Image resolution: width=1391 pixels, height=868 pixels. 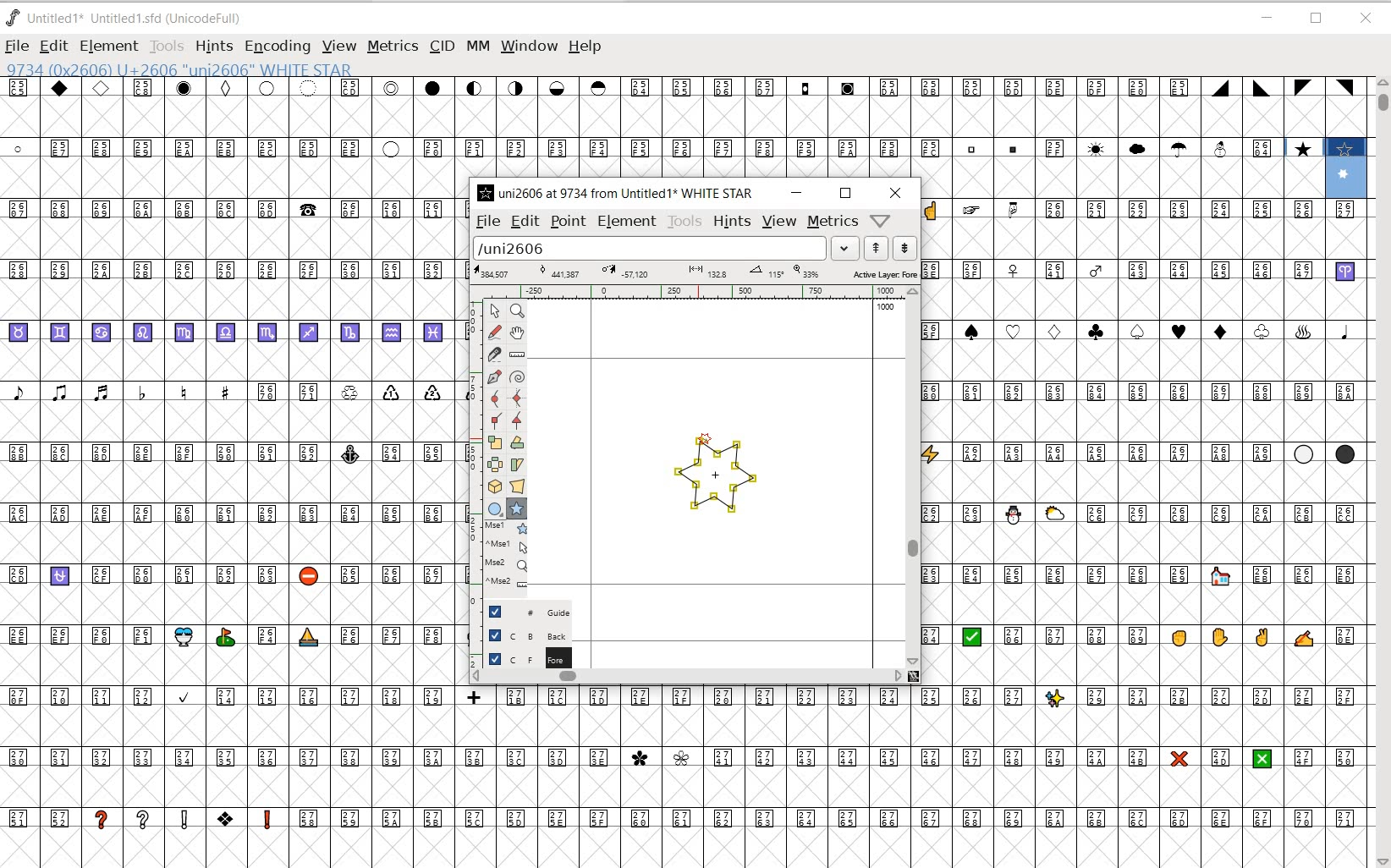 What do you see at coordinates (695, 774) in the screenshot?
I see `GLYPHY CHARACTERS & NUMBERS` at bounding box center [695, 774].